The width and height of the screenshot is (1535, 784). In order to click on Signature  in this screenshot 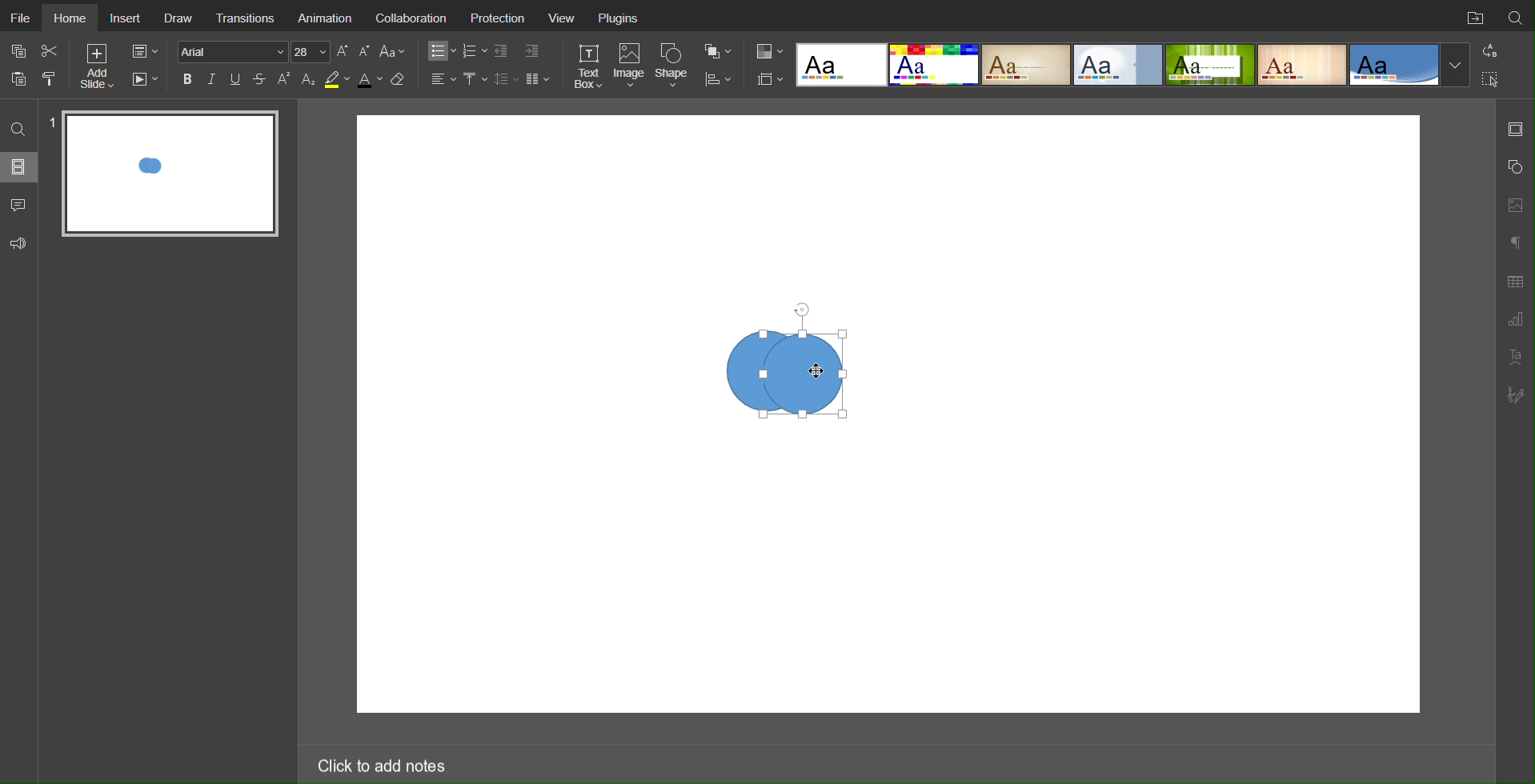, I will do `click(1517, 395)`.